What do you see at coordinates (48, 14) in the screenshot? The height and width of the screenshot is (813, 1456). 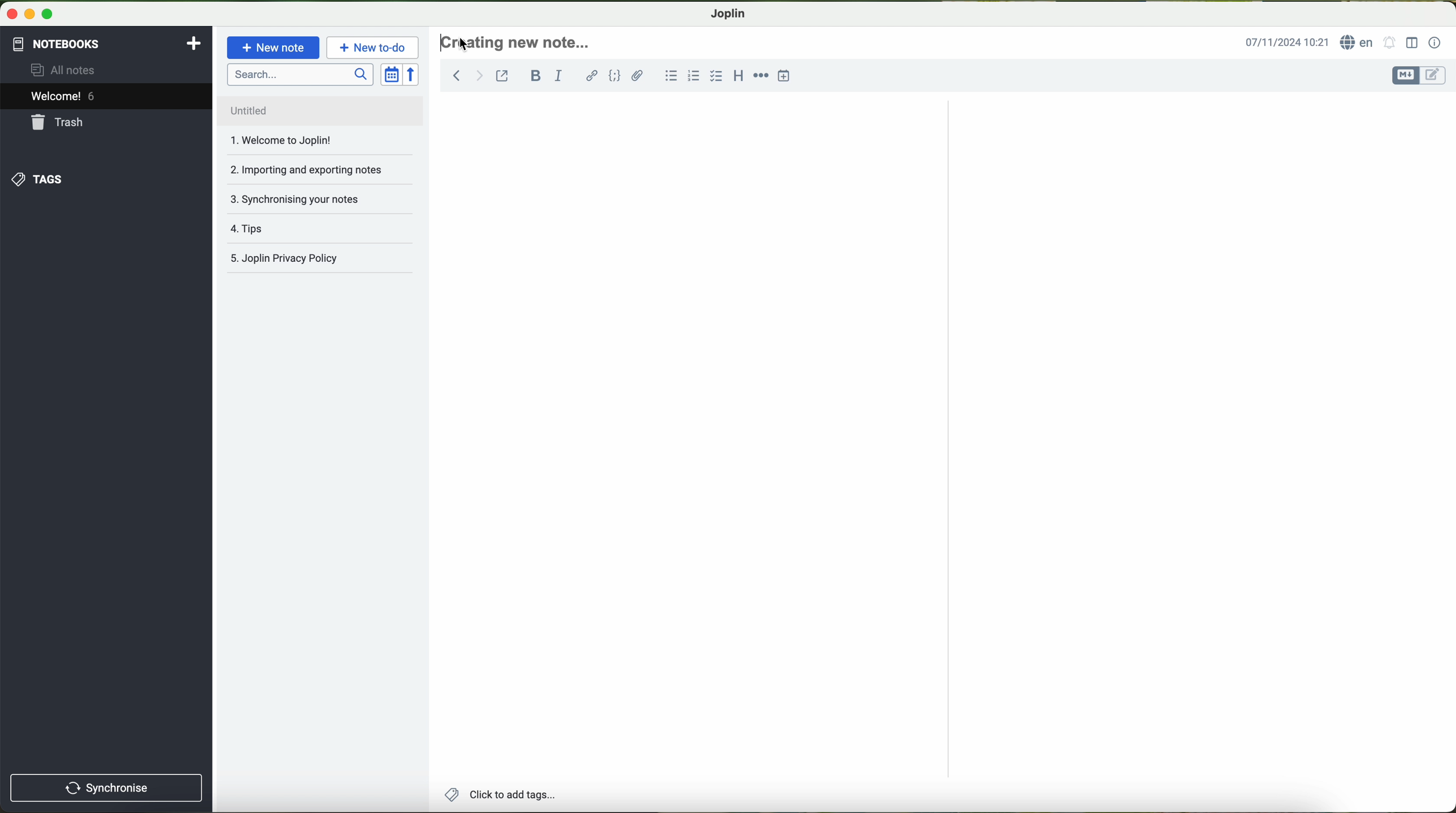 I see `maximize` at bounding box center [48, 14].